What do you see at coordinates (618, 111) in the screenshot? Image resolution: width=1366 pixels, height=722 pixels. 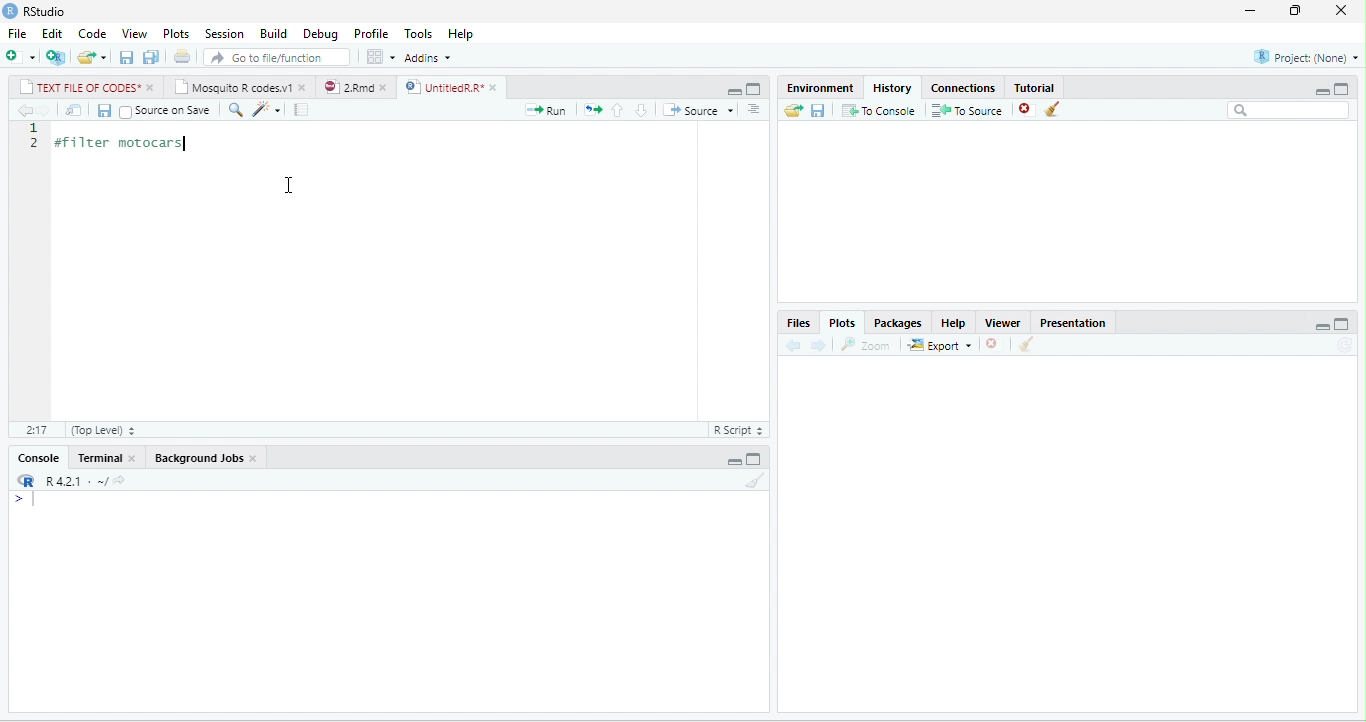 I see `up` at bounding box center [618, 111].